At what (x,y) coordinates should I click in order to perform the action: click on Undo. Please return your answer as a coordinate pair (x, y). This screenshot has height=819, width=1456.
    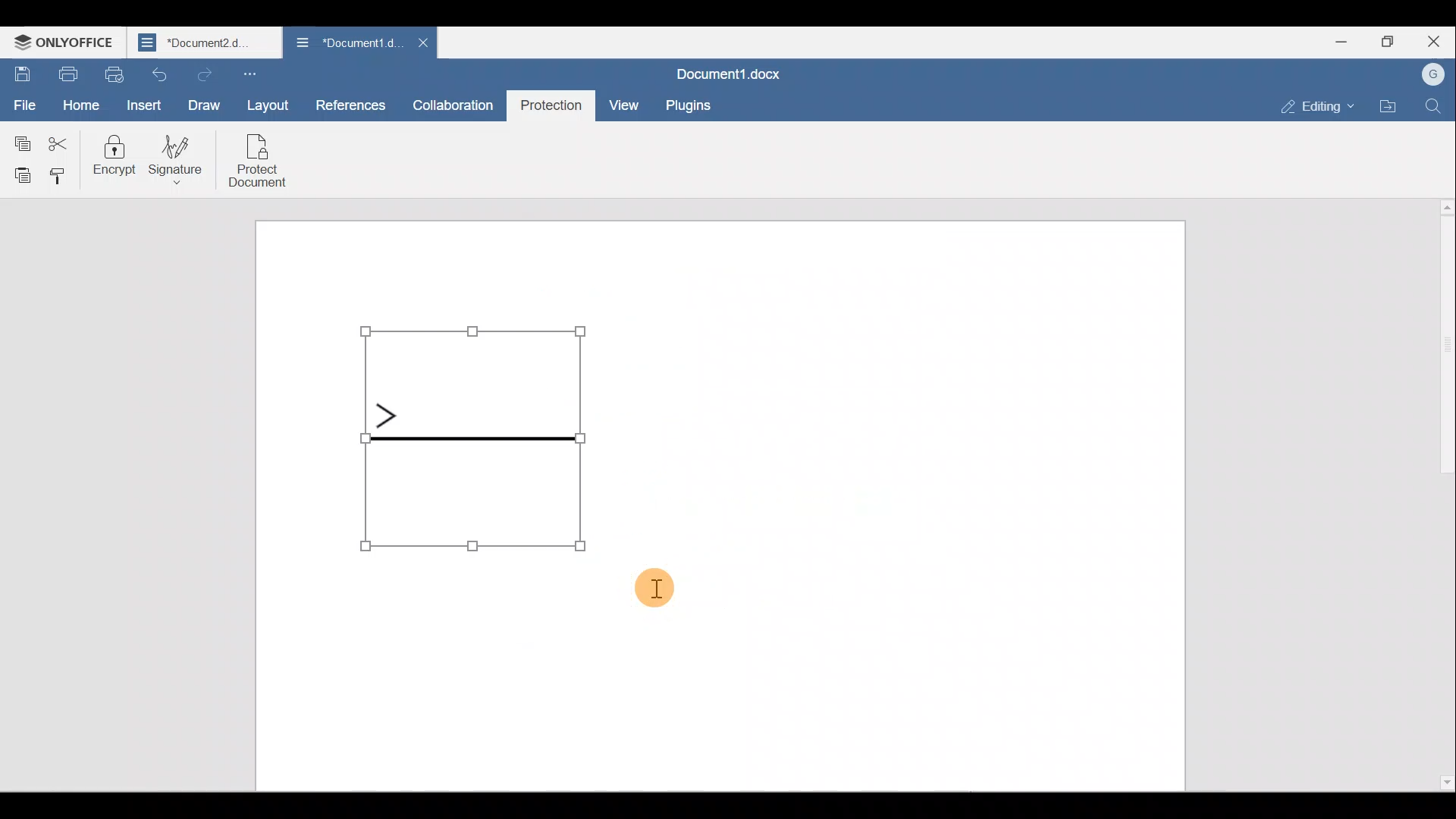
    Looking at the image, I should click on (158, 74).